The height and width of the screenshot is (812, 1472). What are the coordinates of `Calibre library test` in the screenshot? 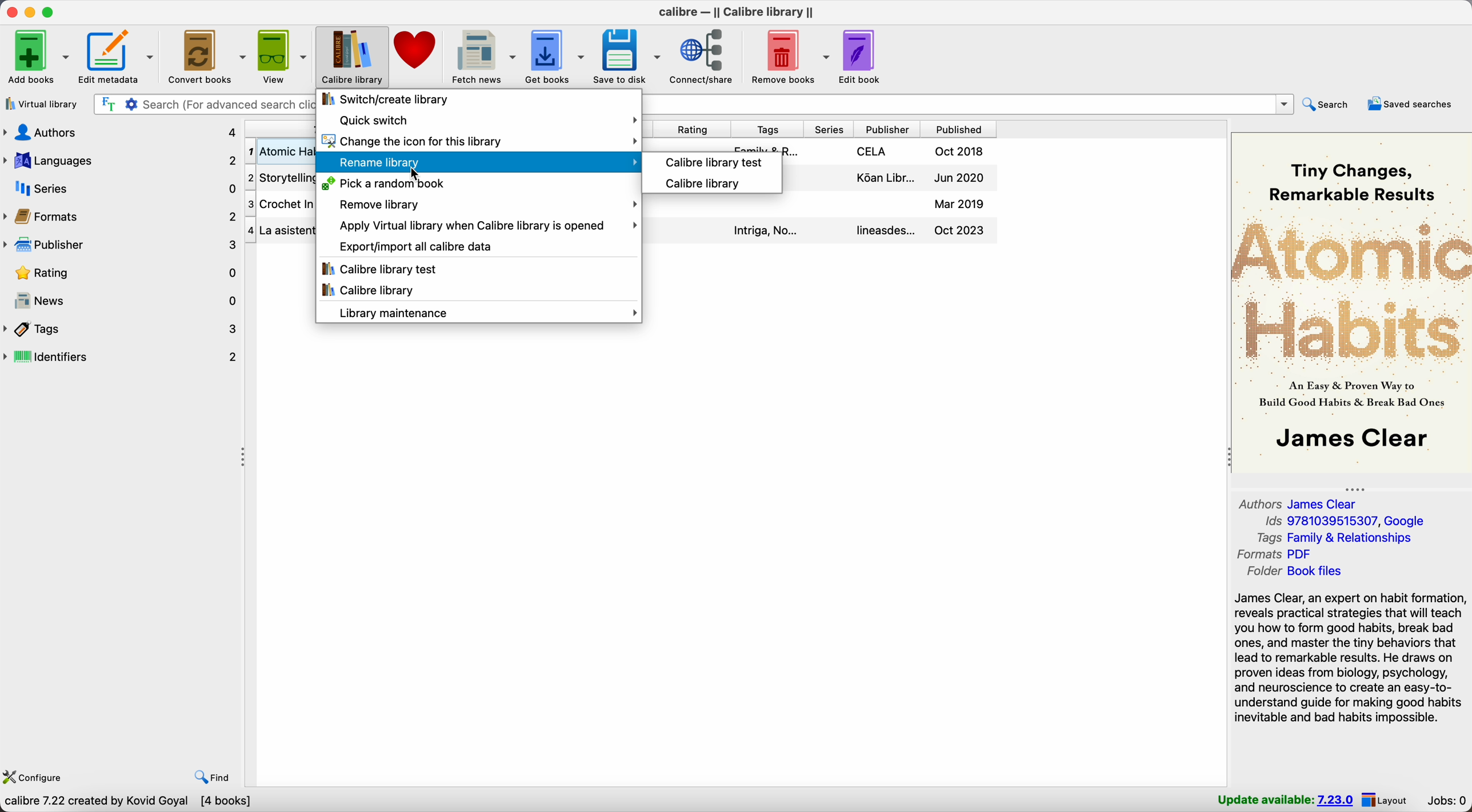 It's located at (383, 269).